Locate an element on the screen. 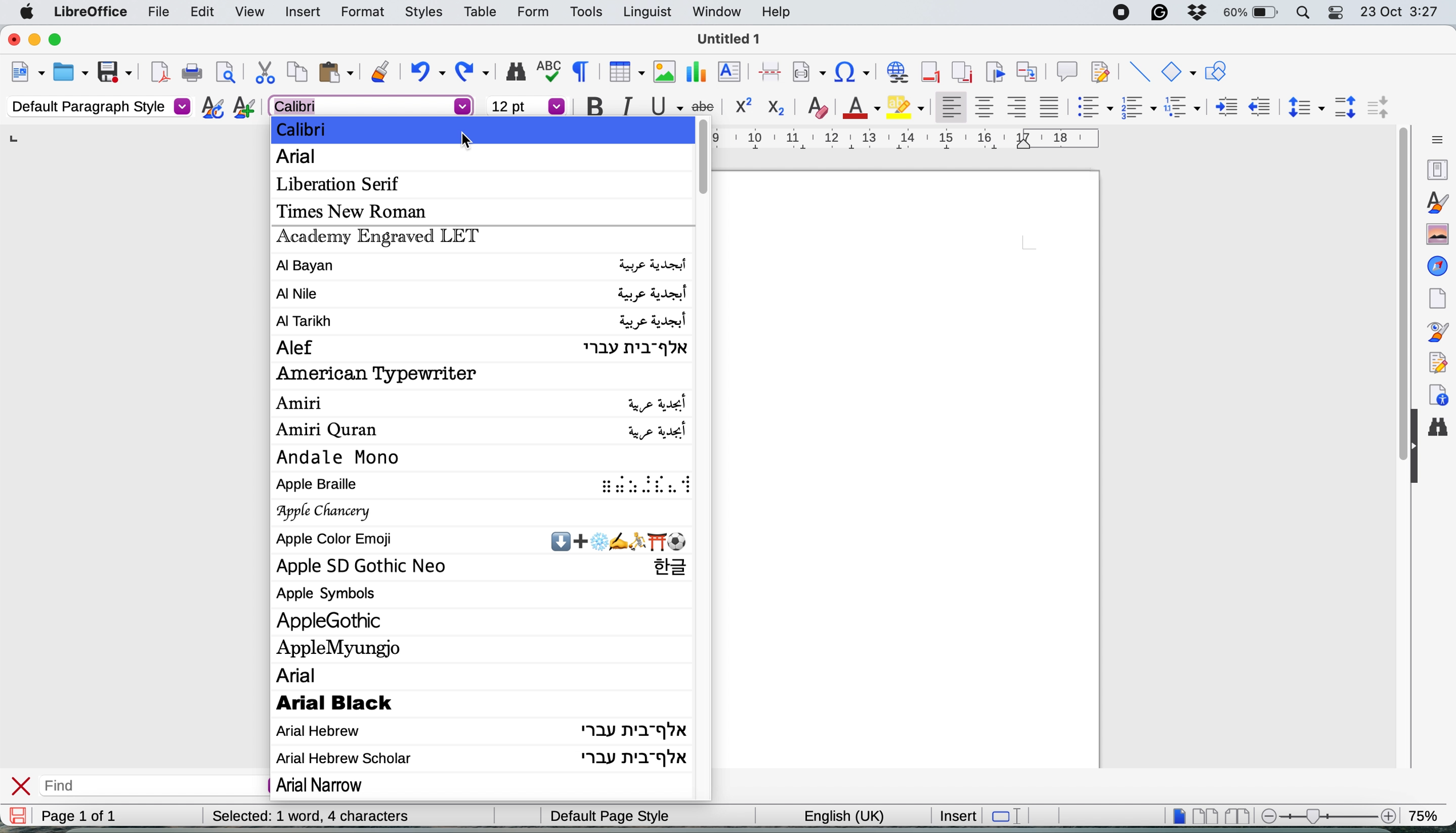 Image resolution: width=1456 pixels, height=833 pixels. apple color emoji is located at coordinates (481, 541).